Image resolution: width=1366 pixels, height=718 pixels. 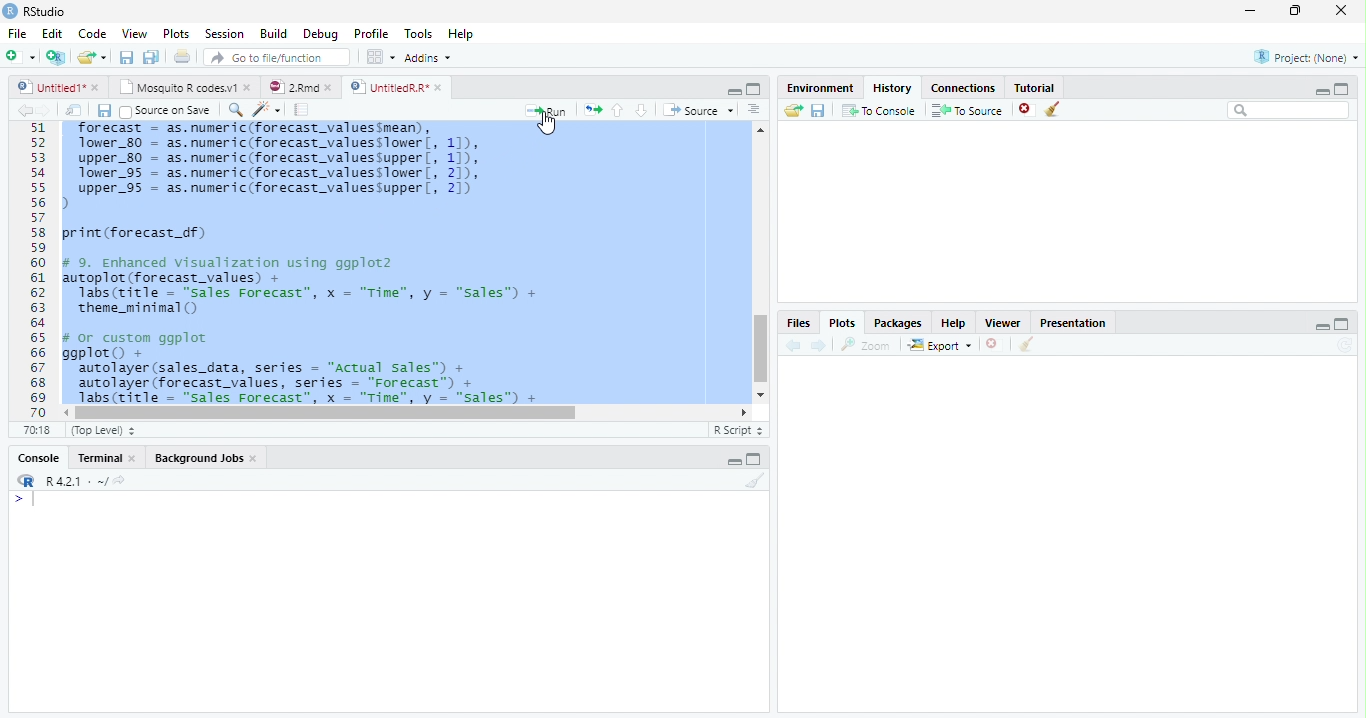 What do you see at coordinates (300, 87) in the screenshot?
I see `2.RMD` at bounding box center [300, 87].